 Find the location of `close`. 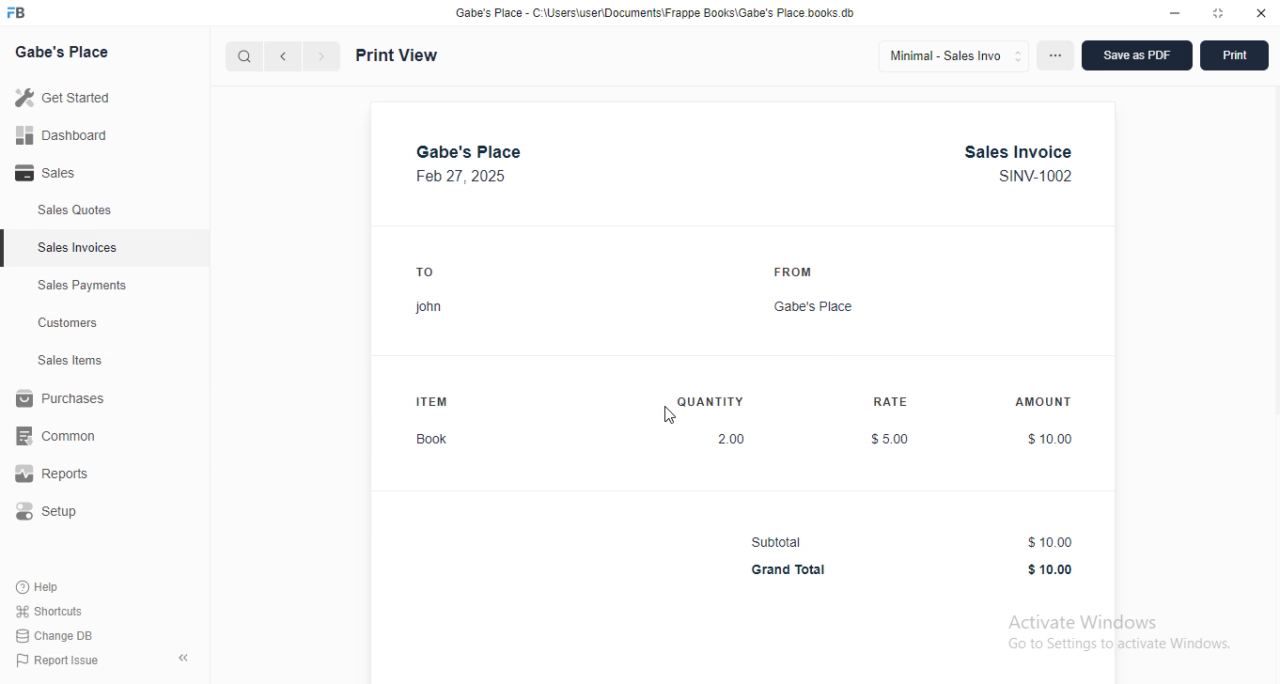

close is located at coordinates (1260, 12).